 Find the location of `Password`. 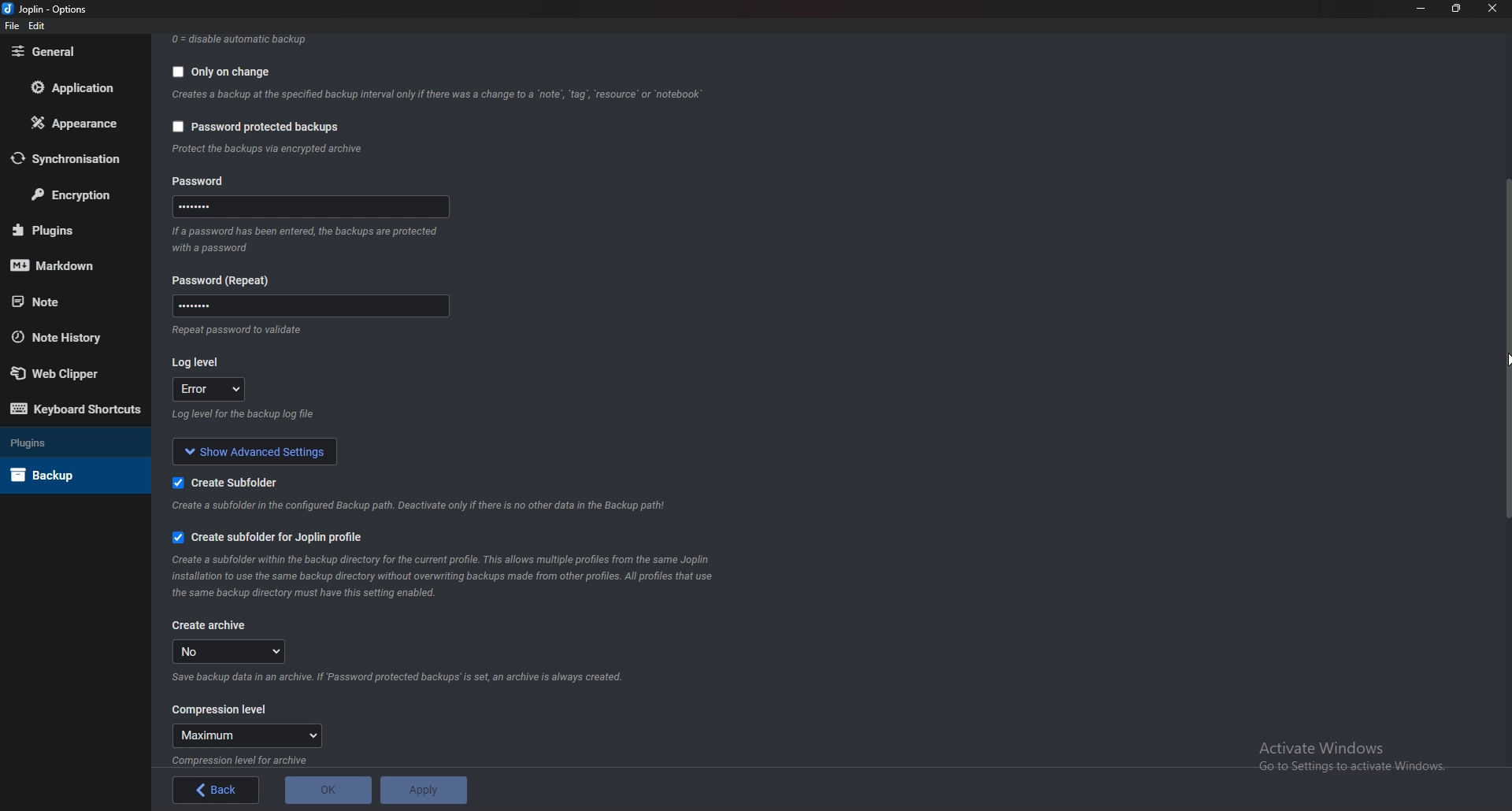

Password is located at coordinates (309, 306).